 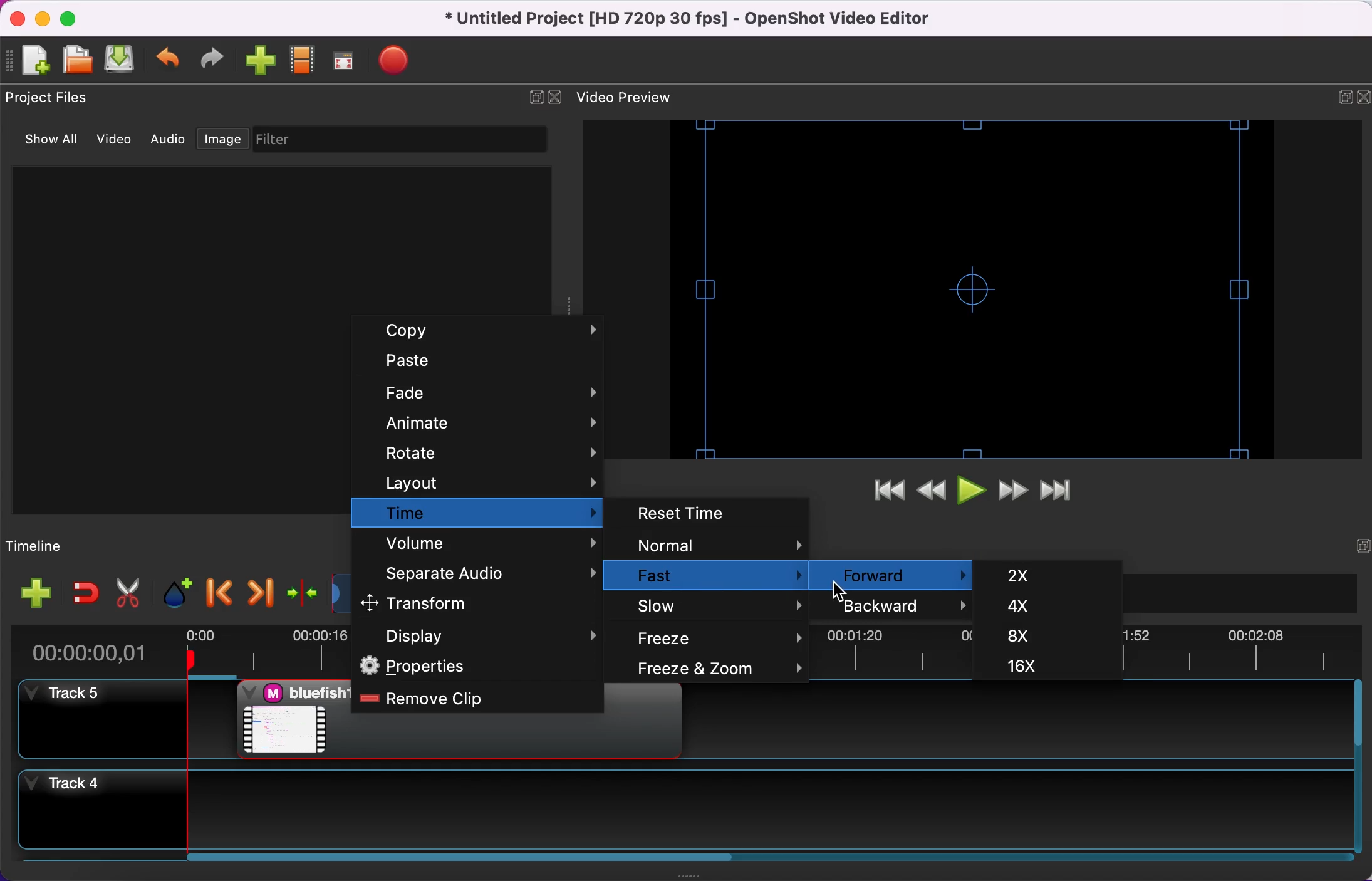 I want to click on open file, so click(x=78, y=61).